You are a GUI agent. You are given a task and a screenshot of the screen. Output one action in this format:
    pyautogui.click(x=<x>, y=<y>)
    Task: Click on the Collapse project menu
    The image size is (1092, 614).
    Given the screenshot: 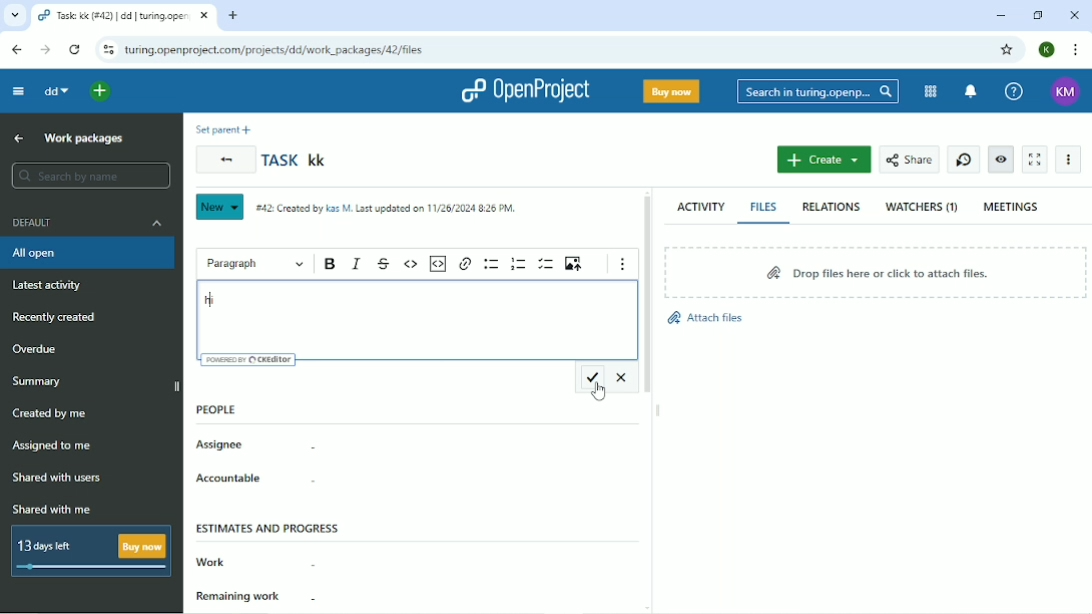 What is the action you would take?
    pyautogui.click(x=19, y=91)
    